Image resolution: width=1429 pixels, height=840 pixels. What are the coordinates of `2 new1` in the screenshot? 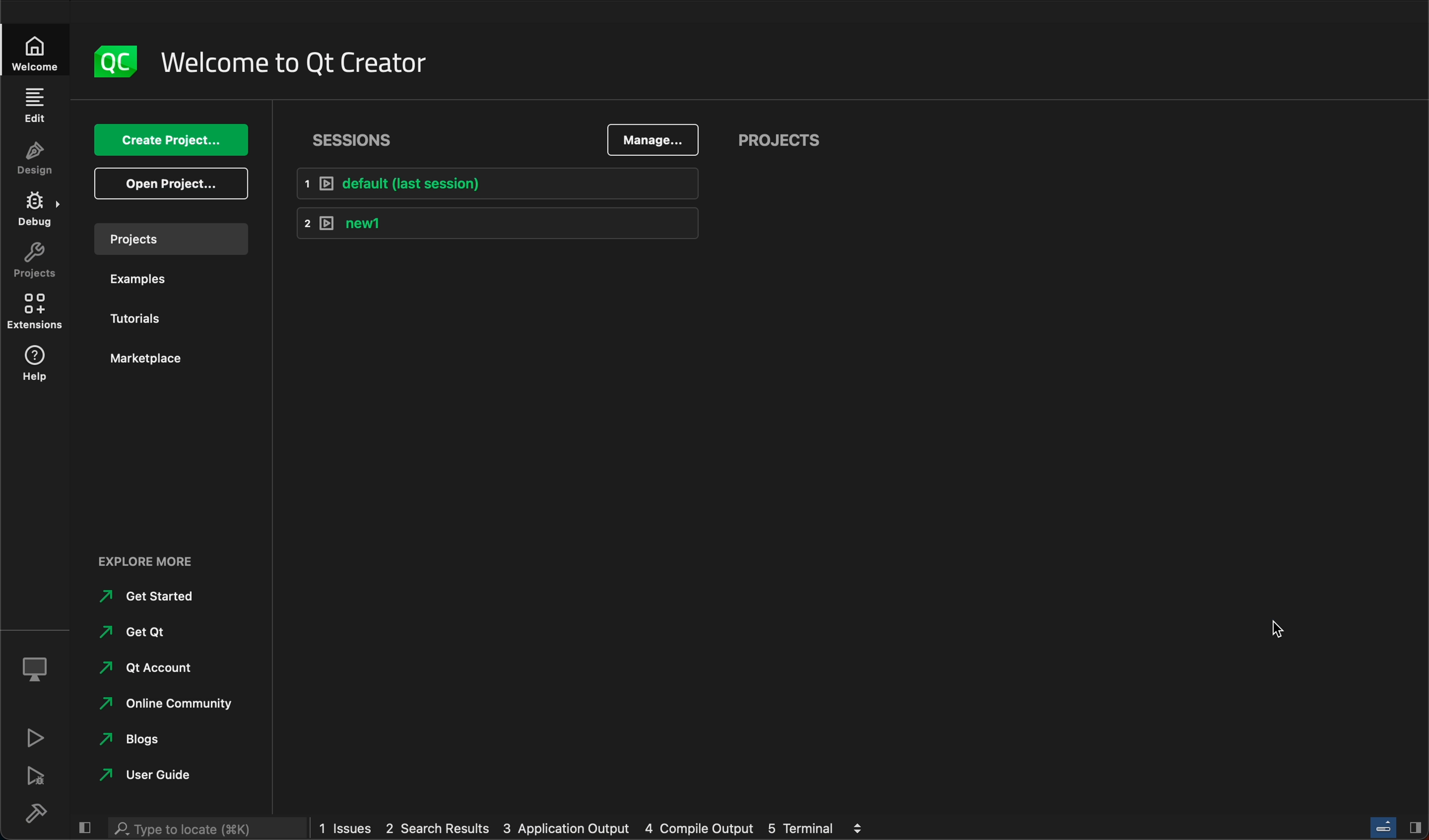 It's located at (500, 223).